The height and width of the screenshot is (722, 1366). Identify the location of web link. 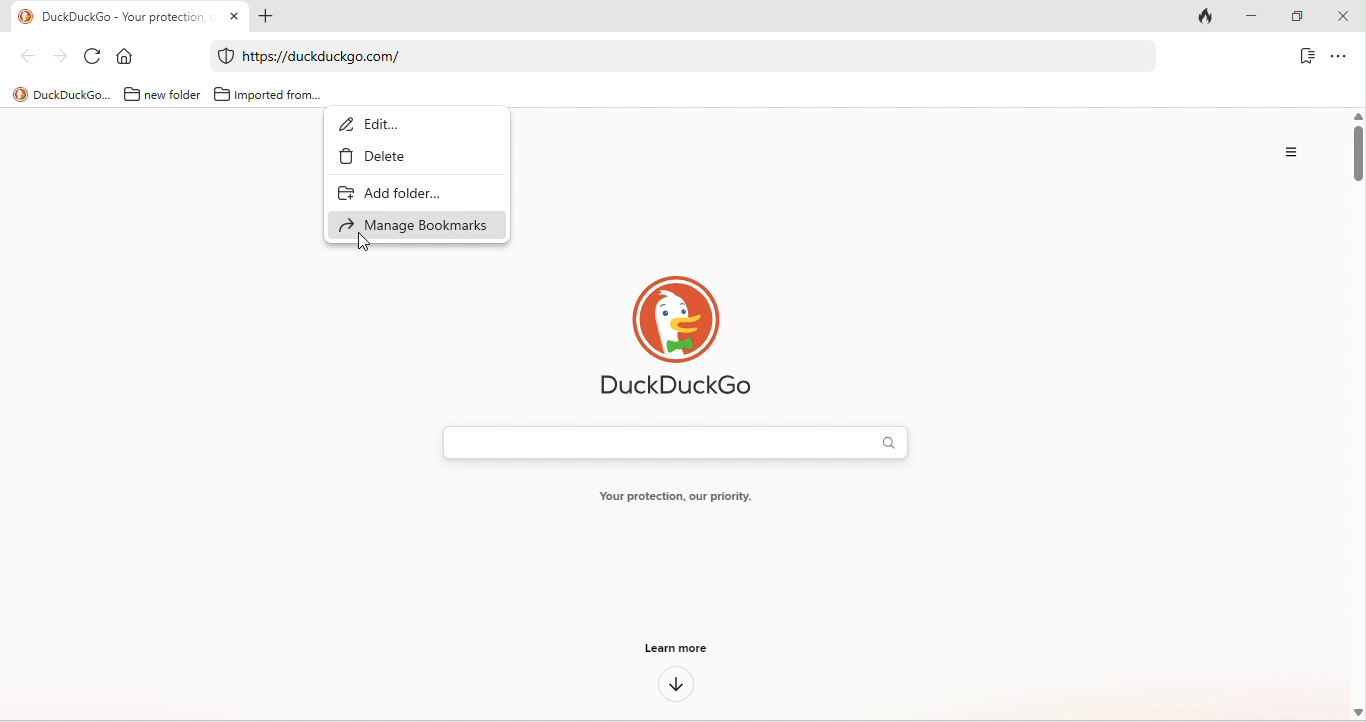
(672, 56).